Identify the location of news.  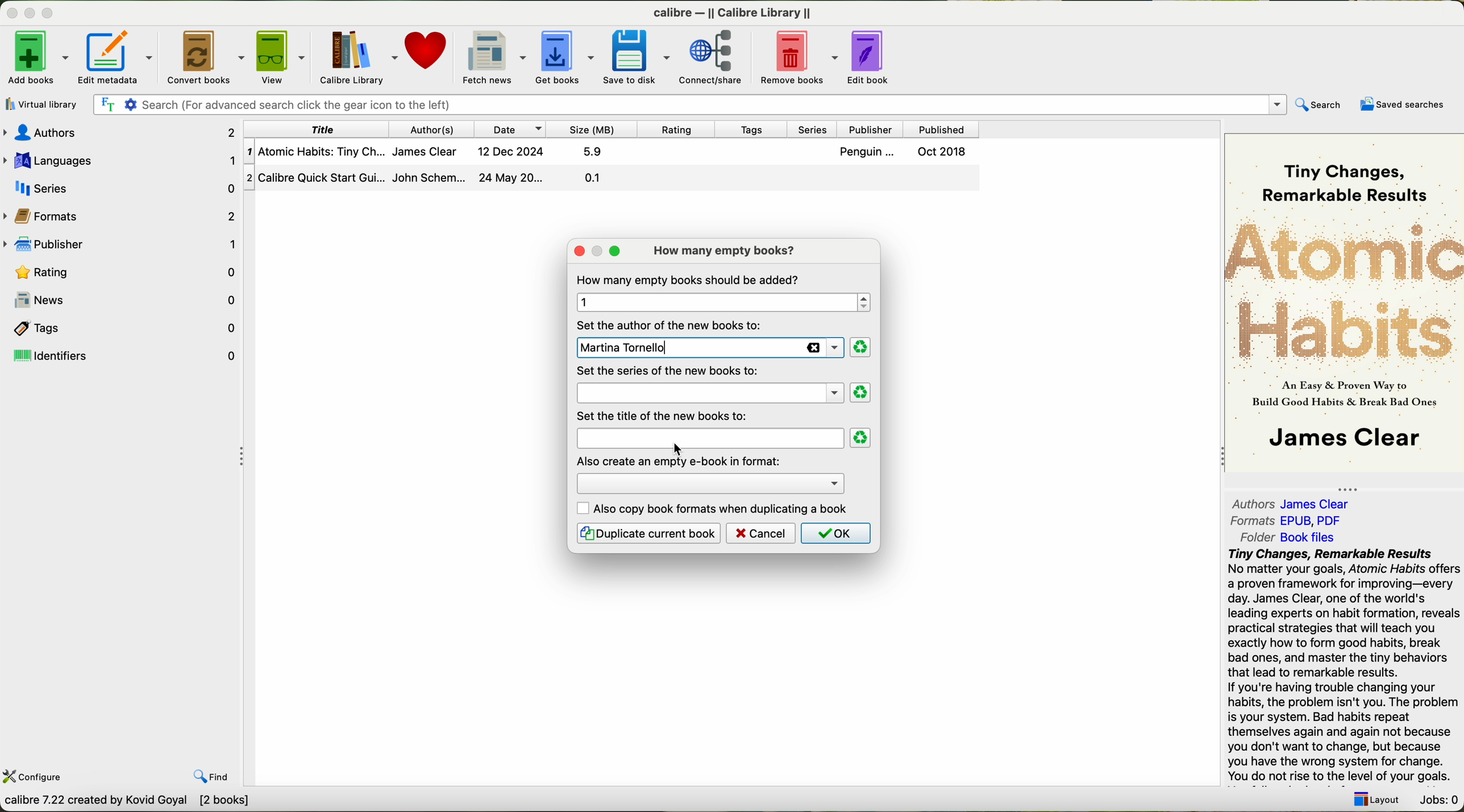
(121, 300).